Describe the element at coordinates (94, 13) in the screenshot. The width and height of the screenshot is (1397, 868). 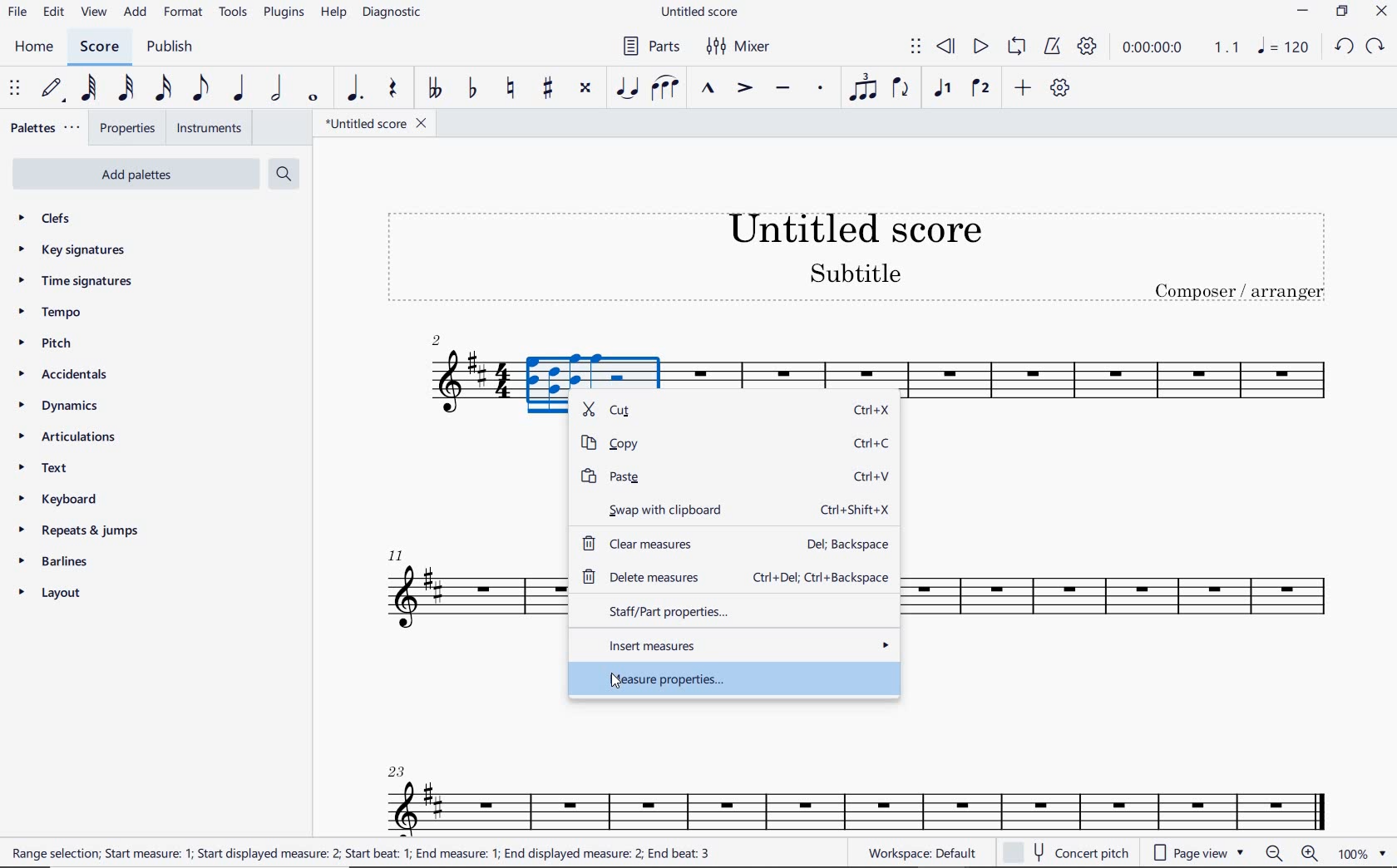
I see `VIEW` at that location.